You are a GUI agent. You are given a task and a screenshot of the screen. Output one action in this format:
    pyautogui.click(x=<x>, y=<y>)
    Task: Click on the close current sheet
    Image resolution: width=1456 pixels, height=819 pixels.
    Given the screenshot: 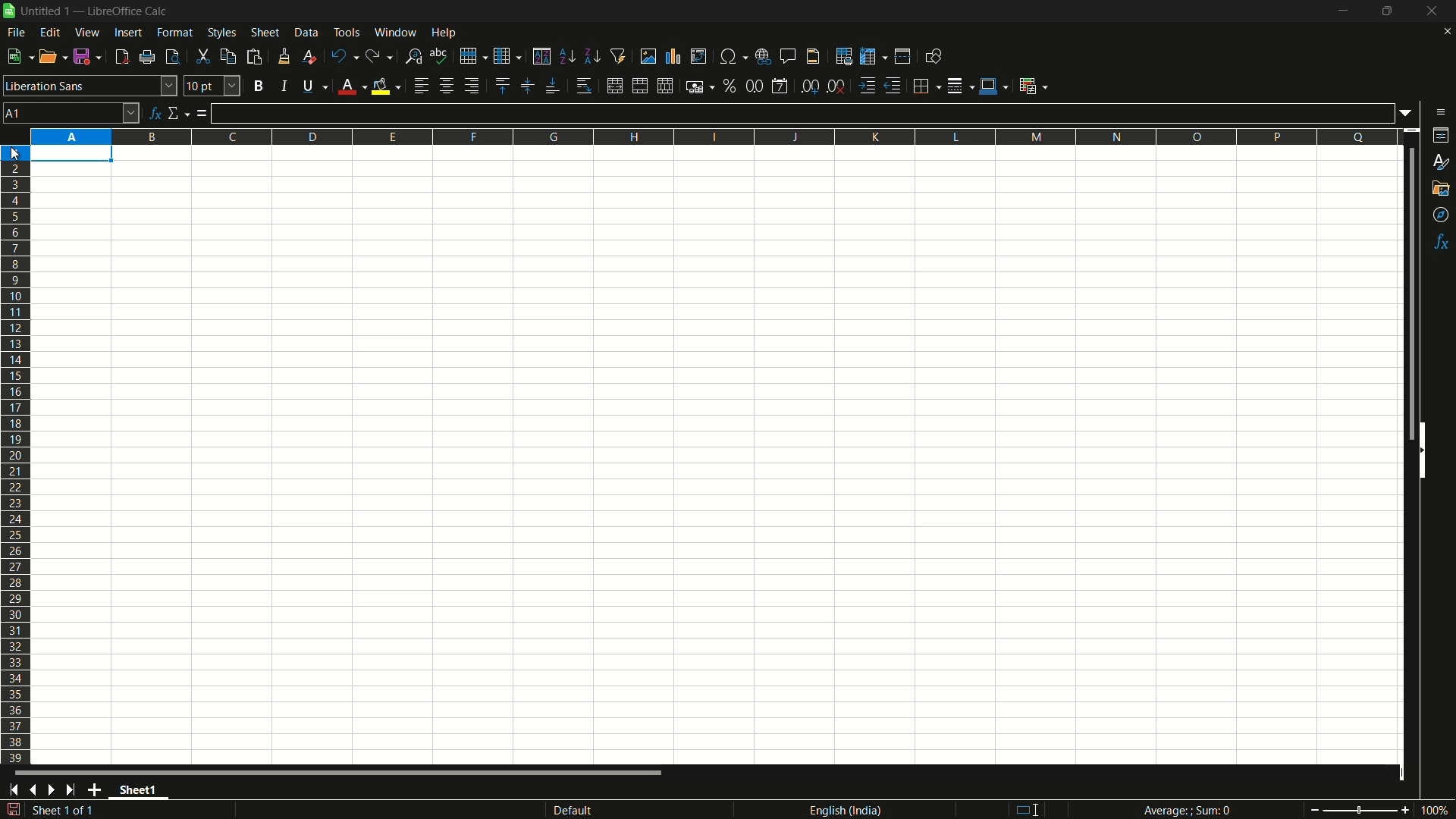 What is the action you would take?
    pyautogui.click(x=1445, y=35)
    